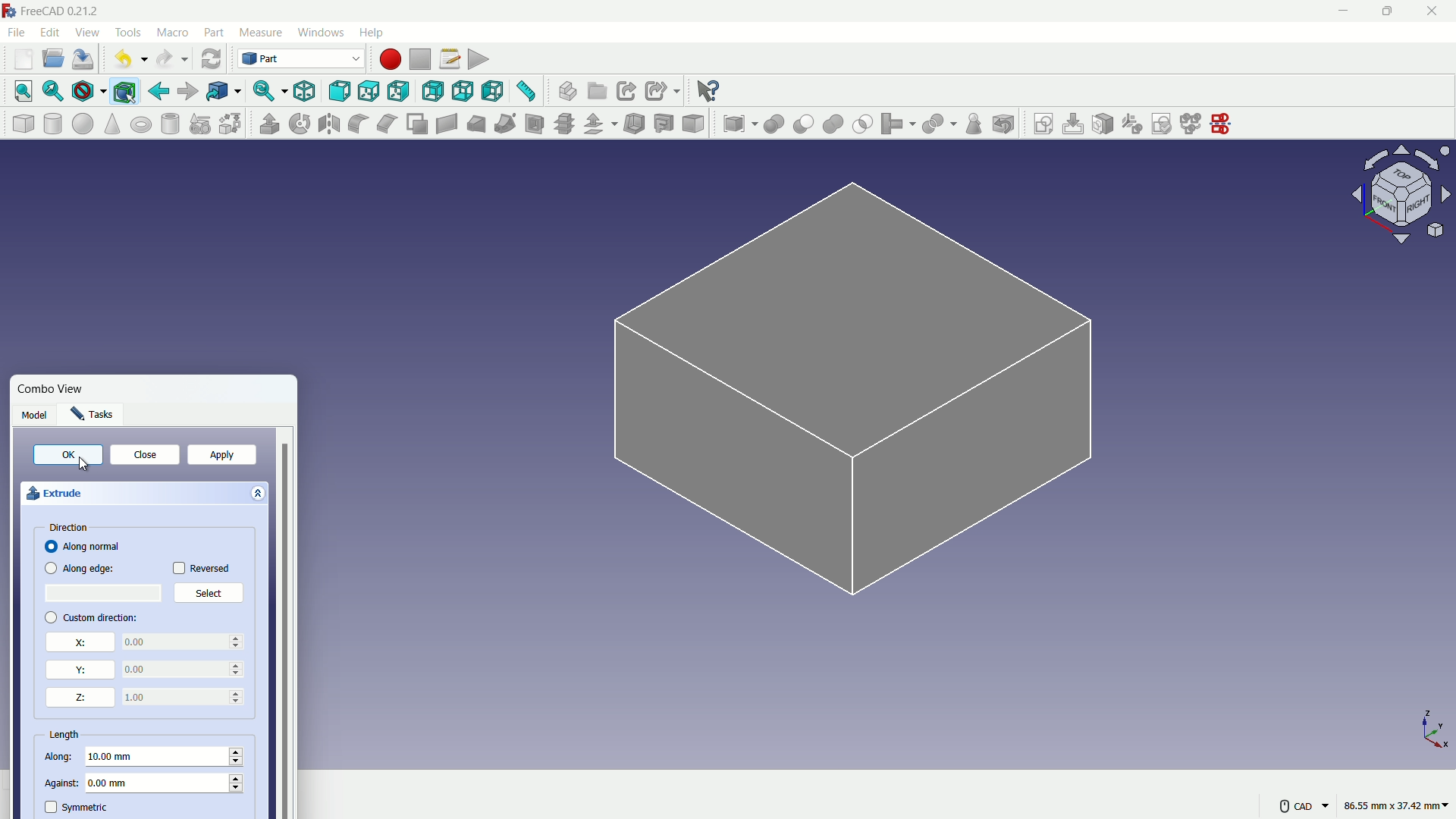 The height and width of the screenshot is (819, 1456). Describe the element at coordinates (188, 91) in the screenshot. I see `go forward` at that location.